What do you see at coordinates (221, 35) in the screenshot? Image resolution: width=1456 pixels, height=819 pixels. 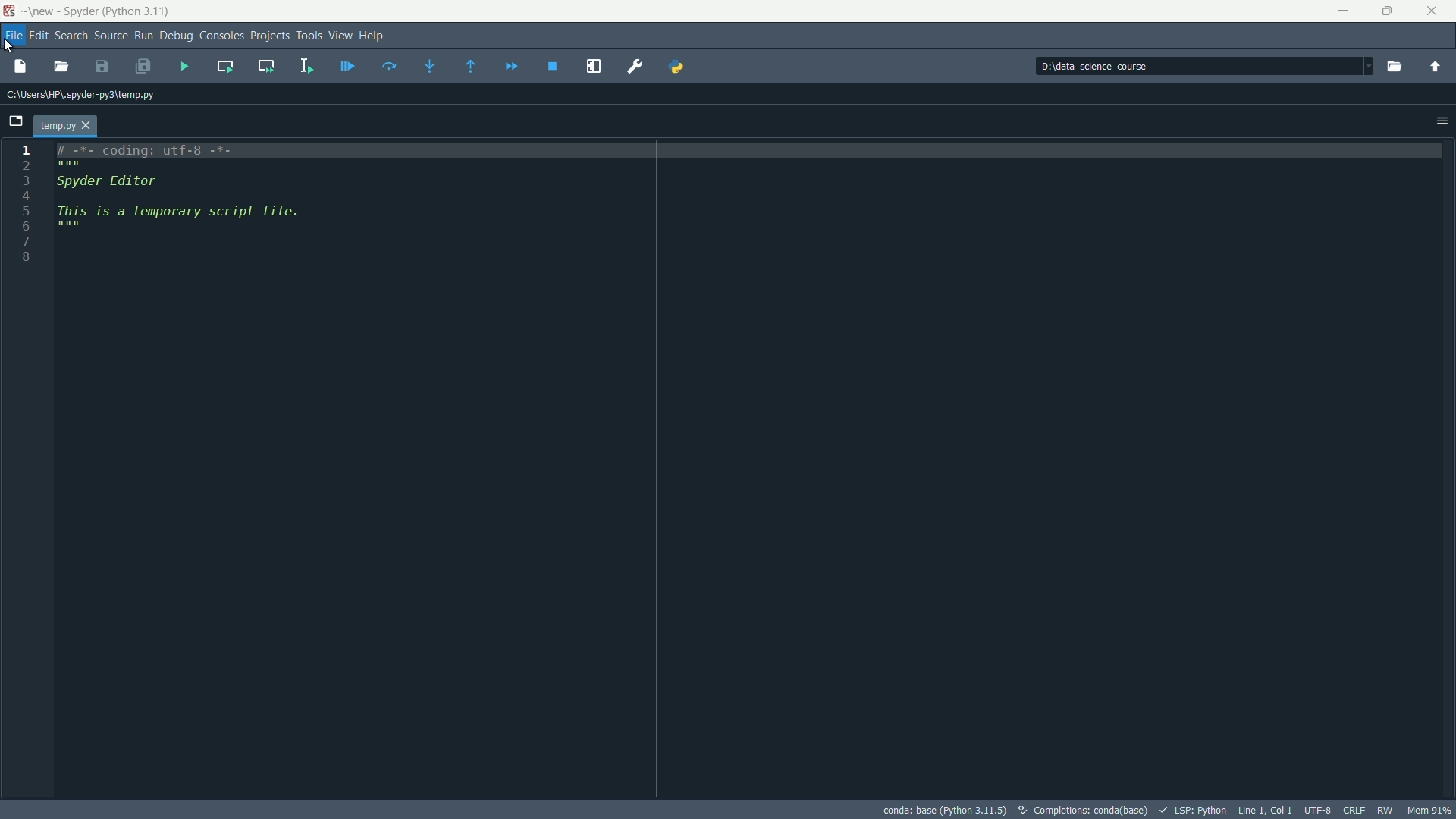 I see `consoles menu` at bounding box center [221, 35].